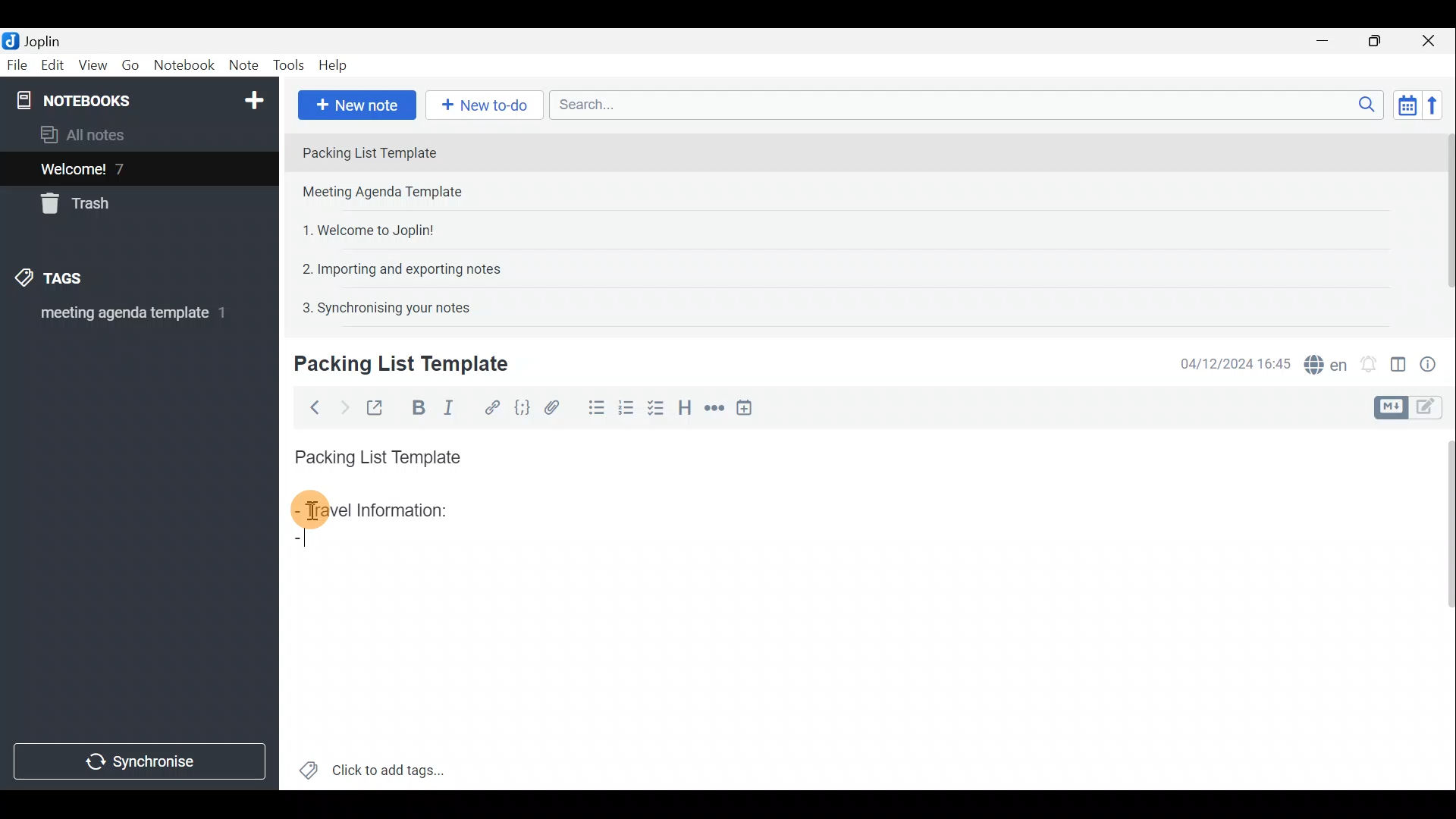 Image resolution: width=1456 pixels, height=819 pixels. Describe the element at coordinates (356, 103) in the screenshot. I see `New note` at that location.